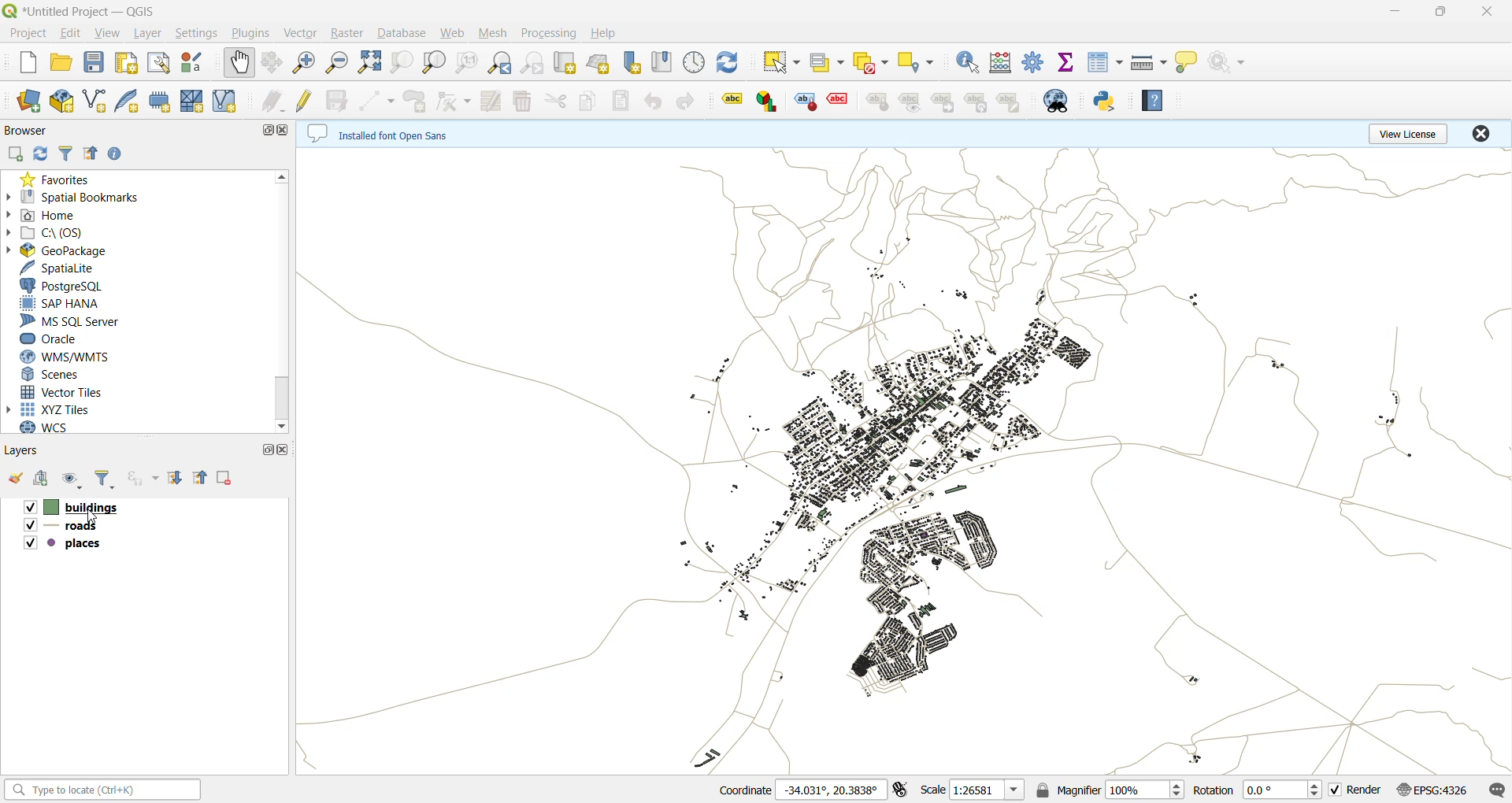  Describe the element at coordinates (283, 450) in the screenshot. I see `close` at that location.